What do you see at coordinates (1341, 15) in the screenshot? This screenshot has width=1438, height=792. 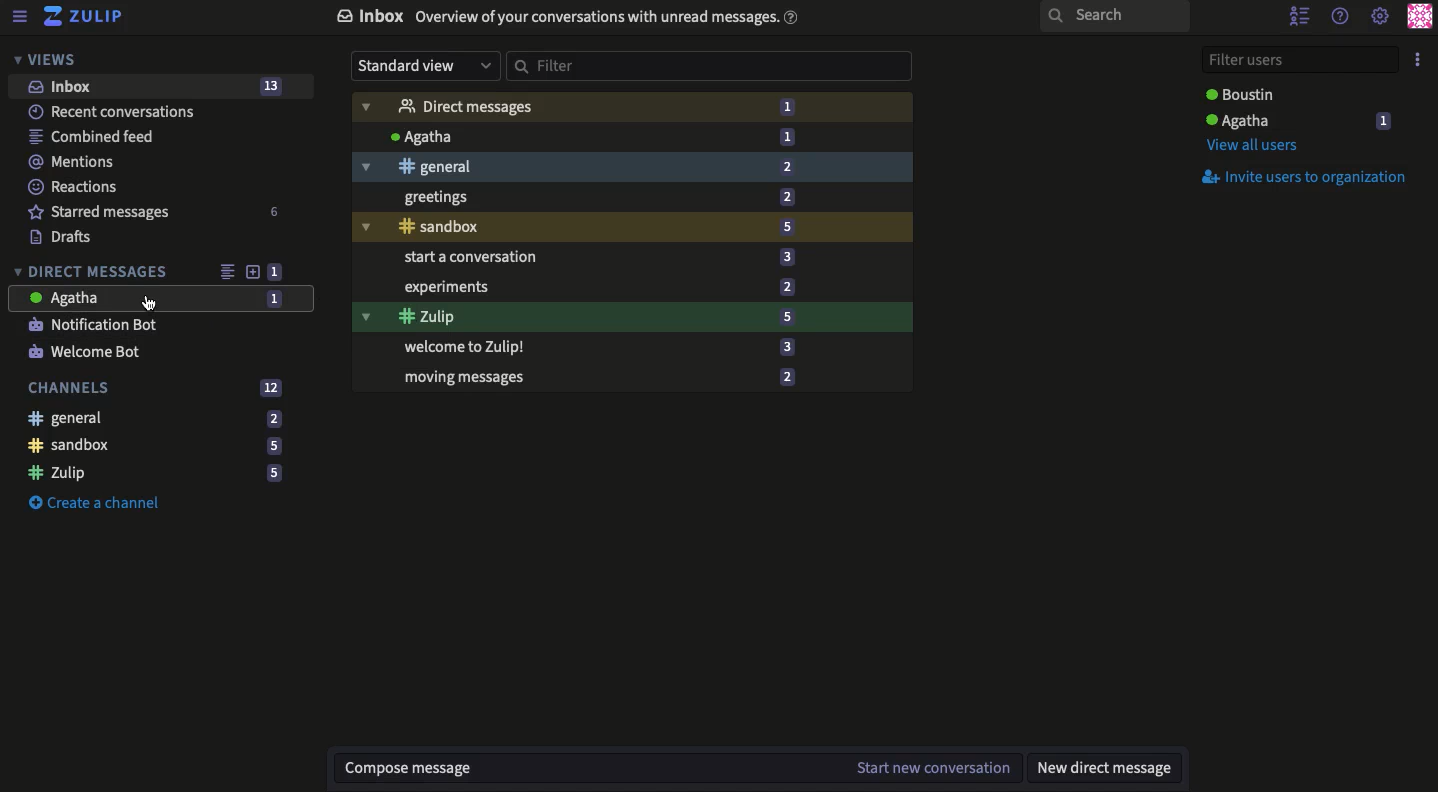 I see `Help` at bounding box center [1341, 15].